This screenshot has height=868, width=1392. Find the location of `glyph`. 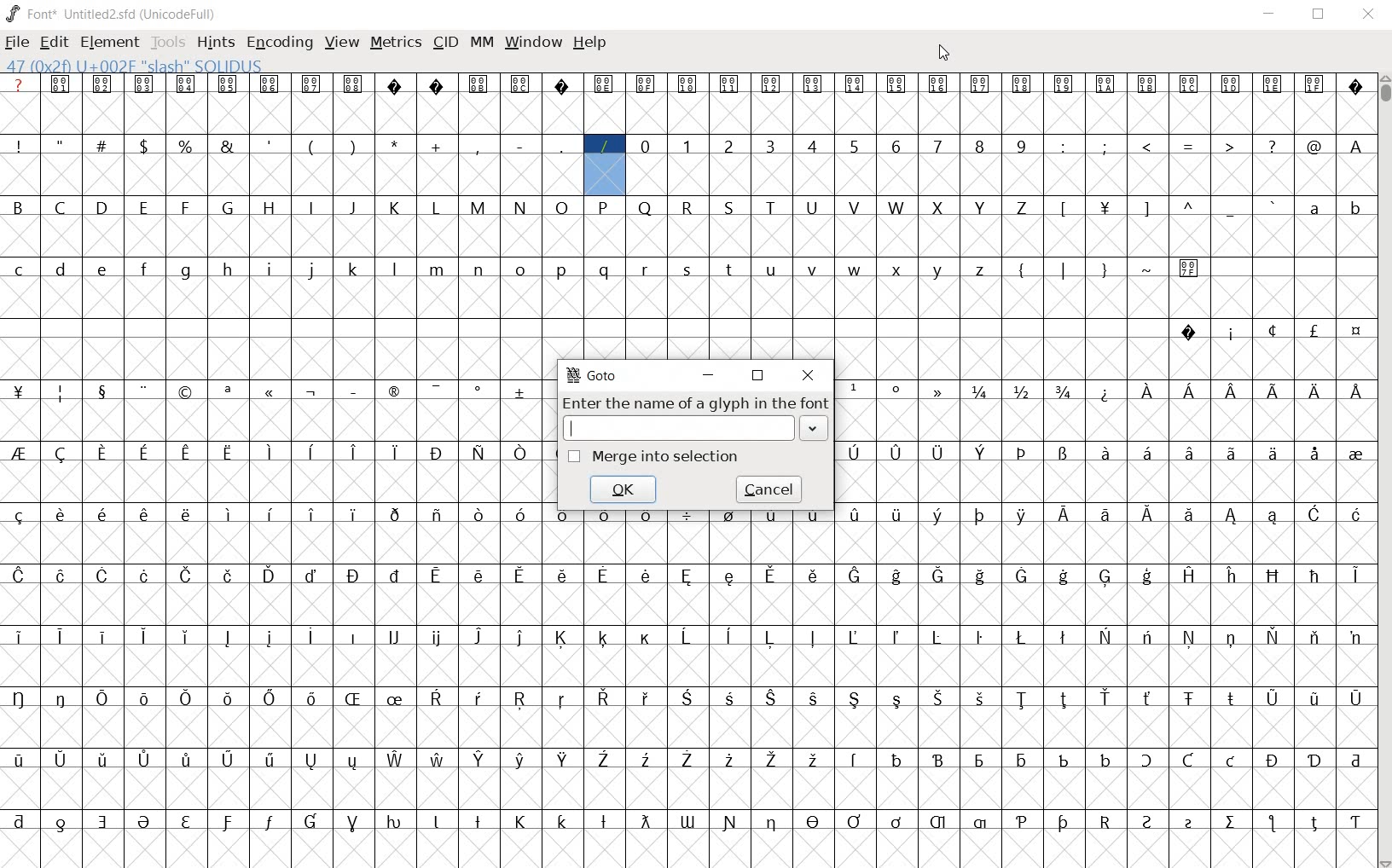

glyph is located at coordinates (938, 760).